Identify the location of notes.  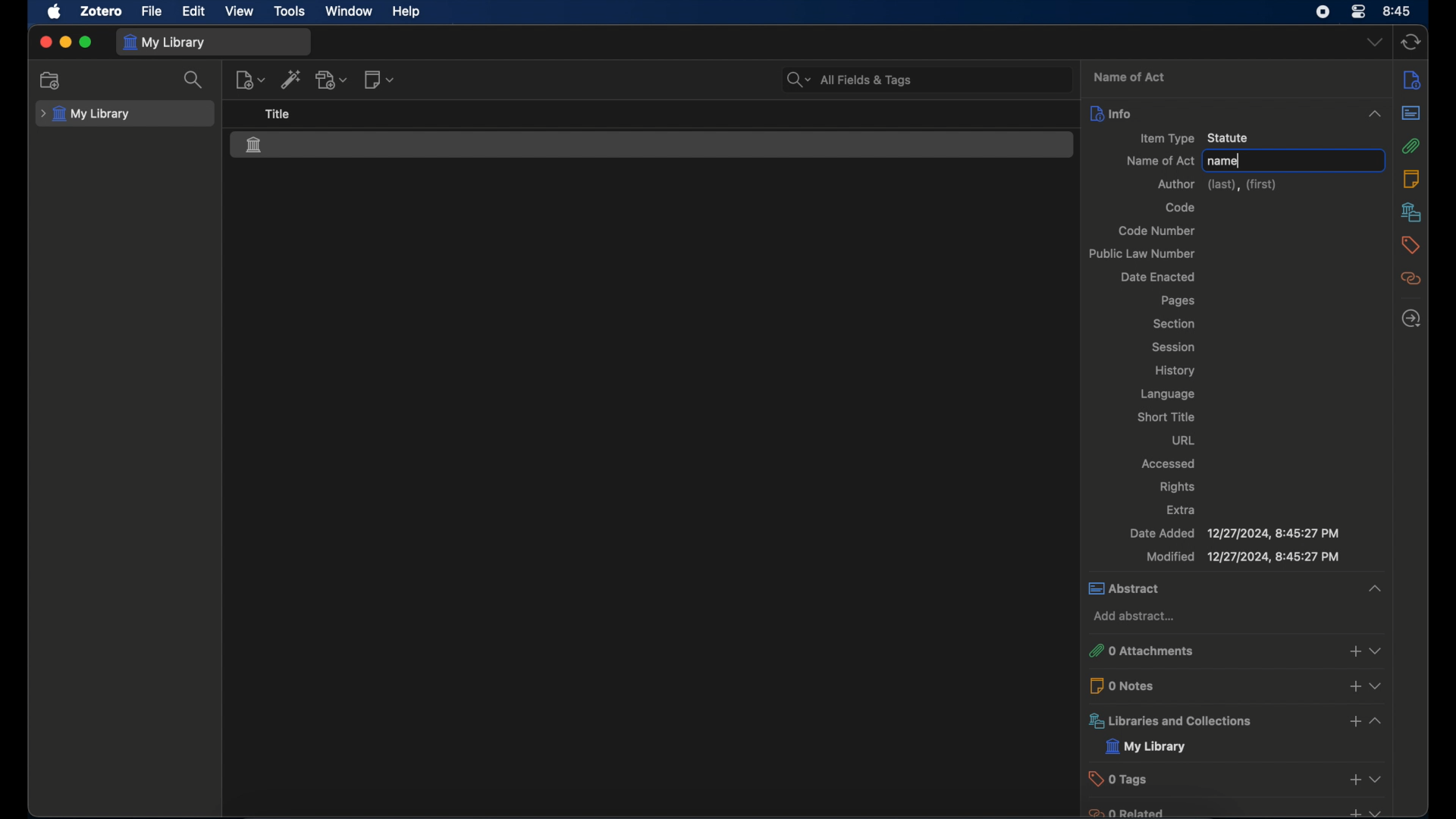
(1411, 177).